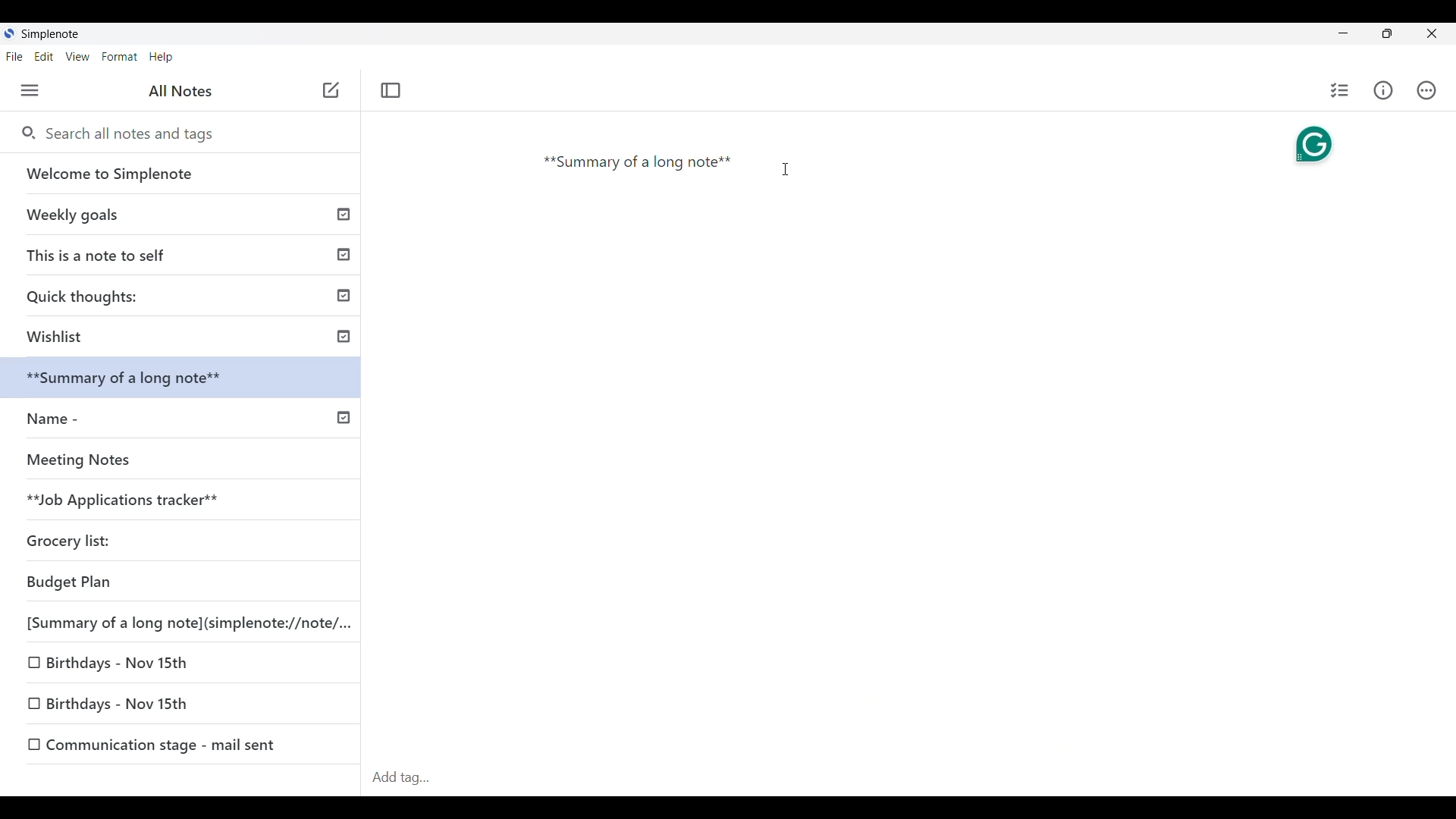  I want to click on This is a note to self, so click(184, 252).